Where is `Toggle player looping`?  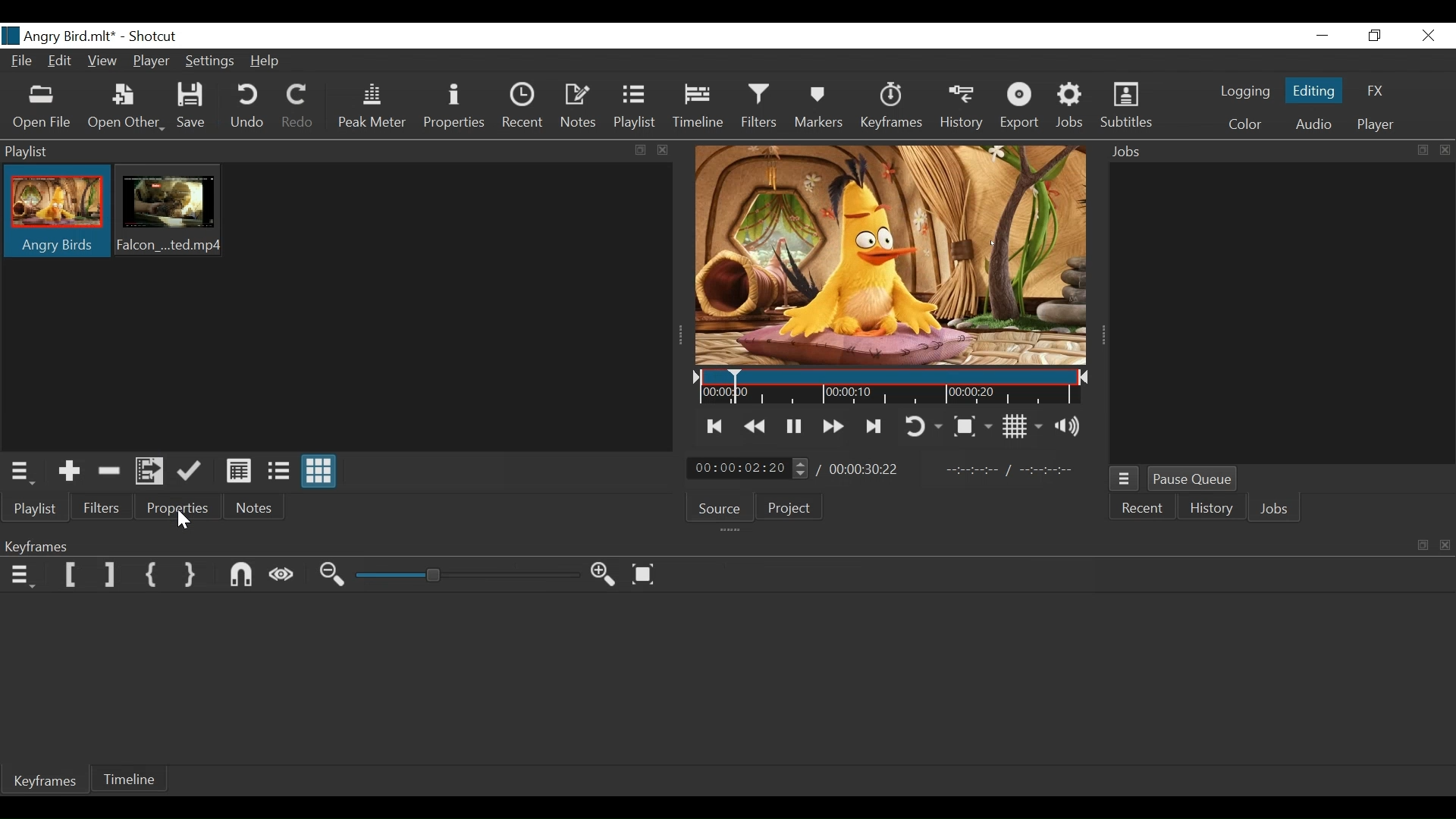
Toggle player looping is located at coordinates (926, 425).